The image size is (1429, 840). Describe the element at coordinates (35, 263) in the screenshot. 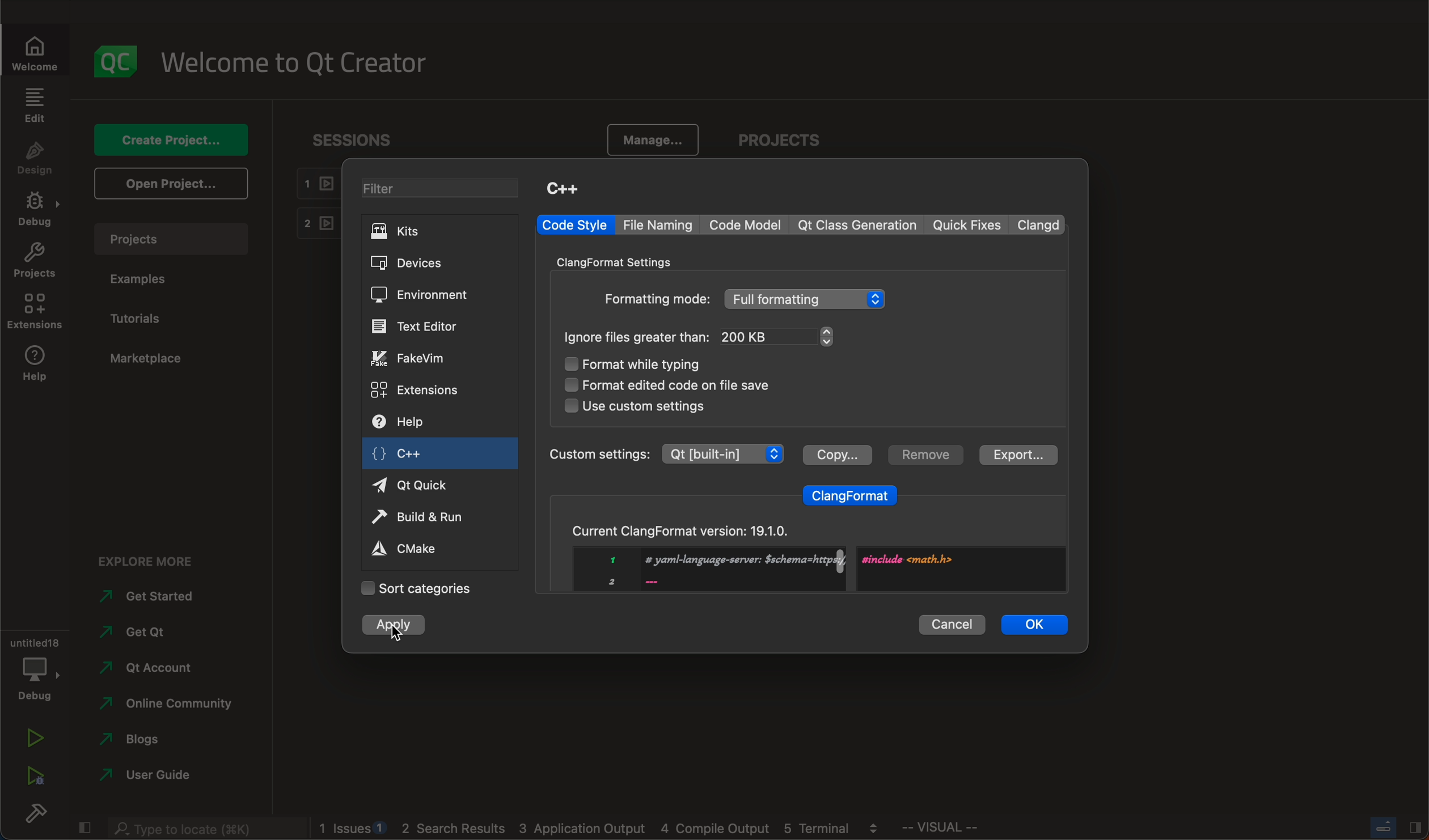

I see `projects` at that location.